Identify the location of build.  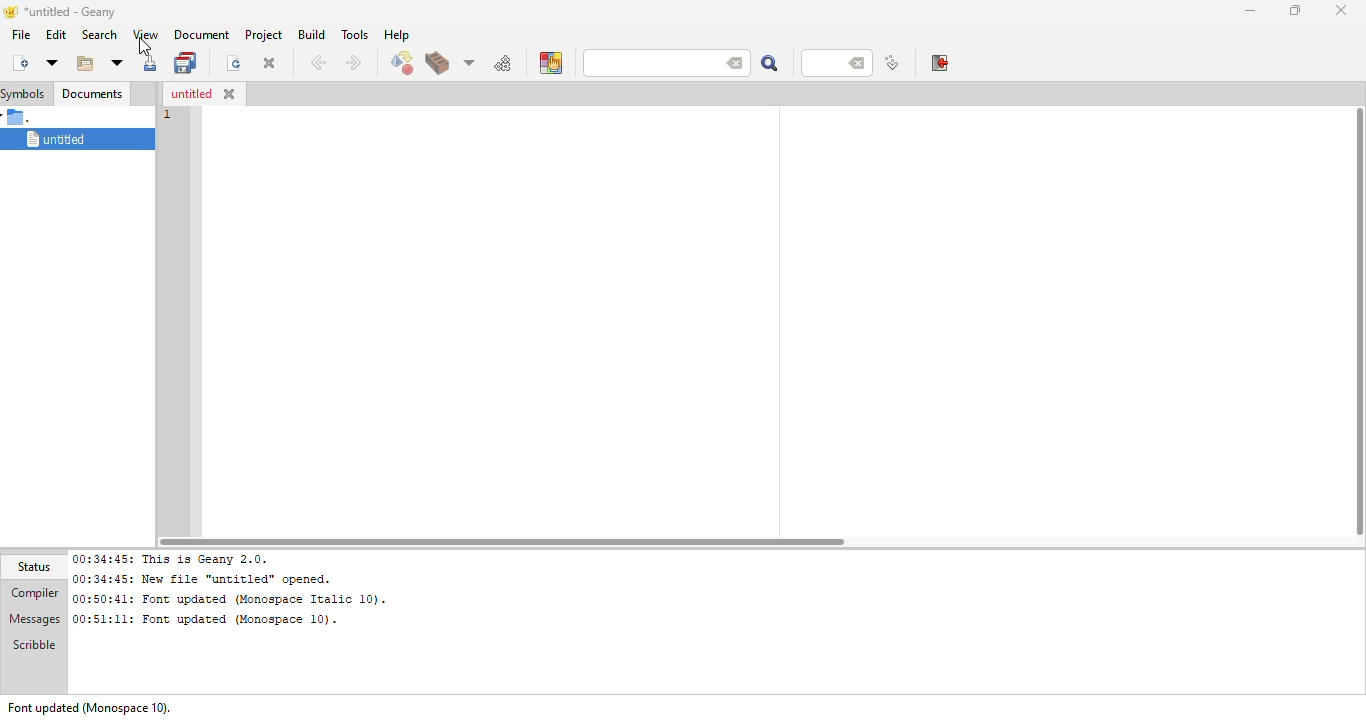
(436, 65).